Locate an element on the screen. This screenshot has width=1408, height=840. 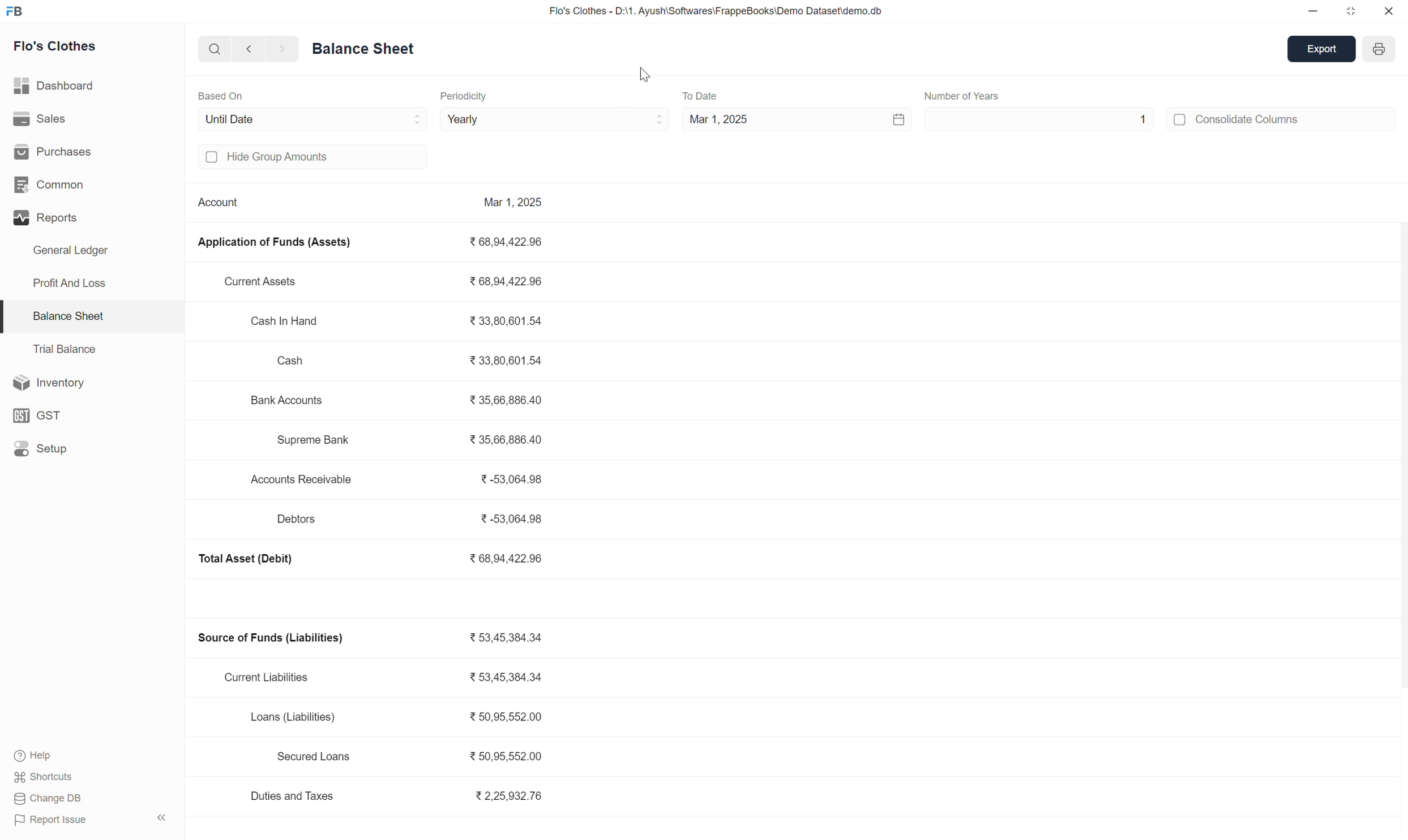
Reports is located at coordinates (82, 218).